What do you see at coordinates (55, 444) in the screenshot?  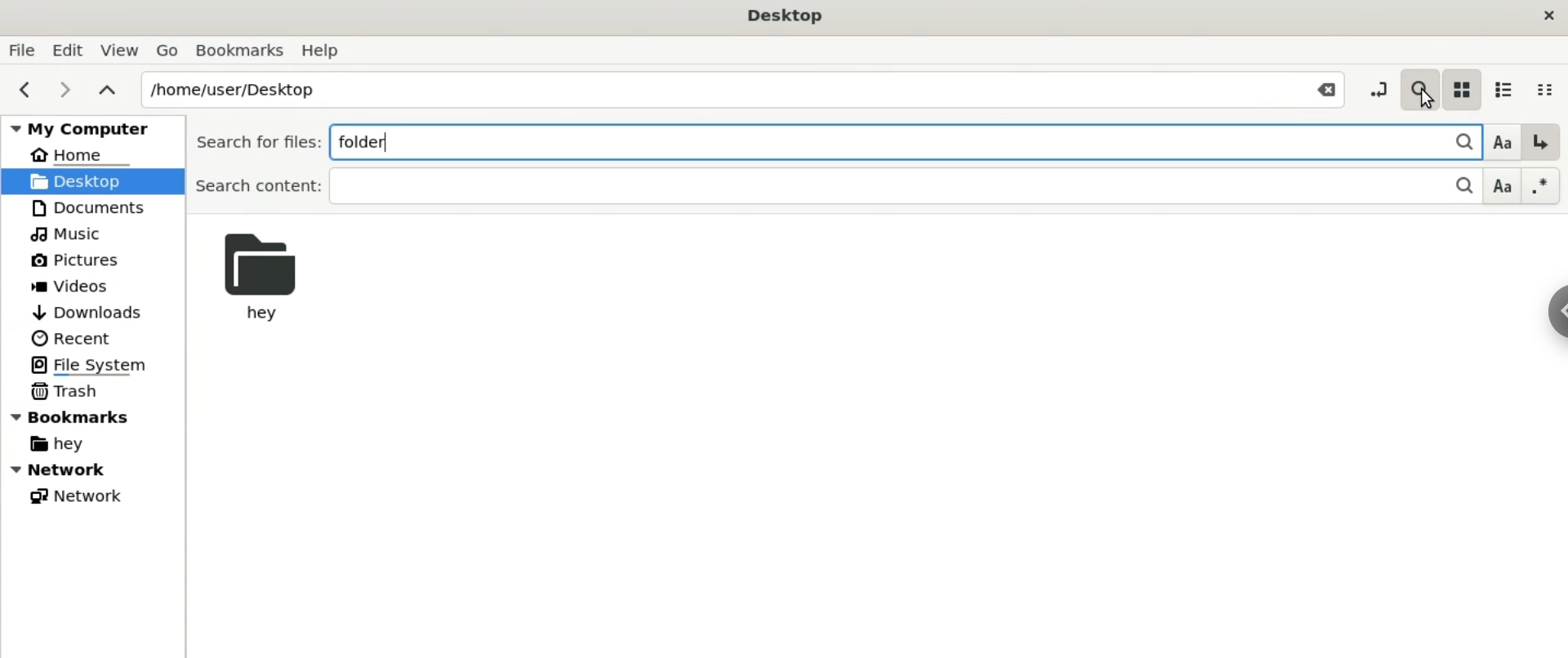 I see `hey` at bounding box center [55, 444].